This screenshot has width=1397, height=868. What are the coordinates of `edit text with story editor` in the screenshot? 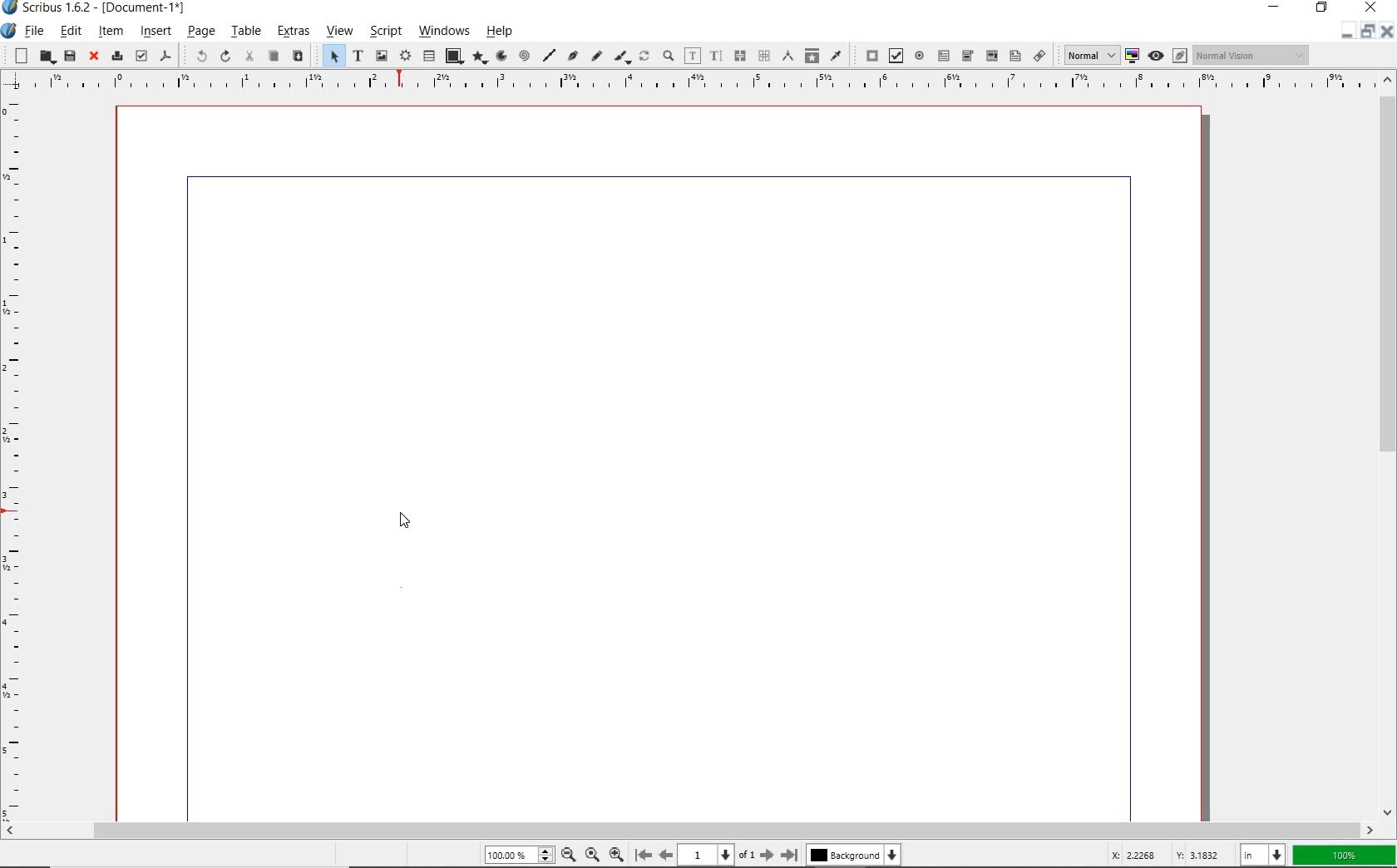 It's located at (715, 56).